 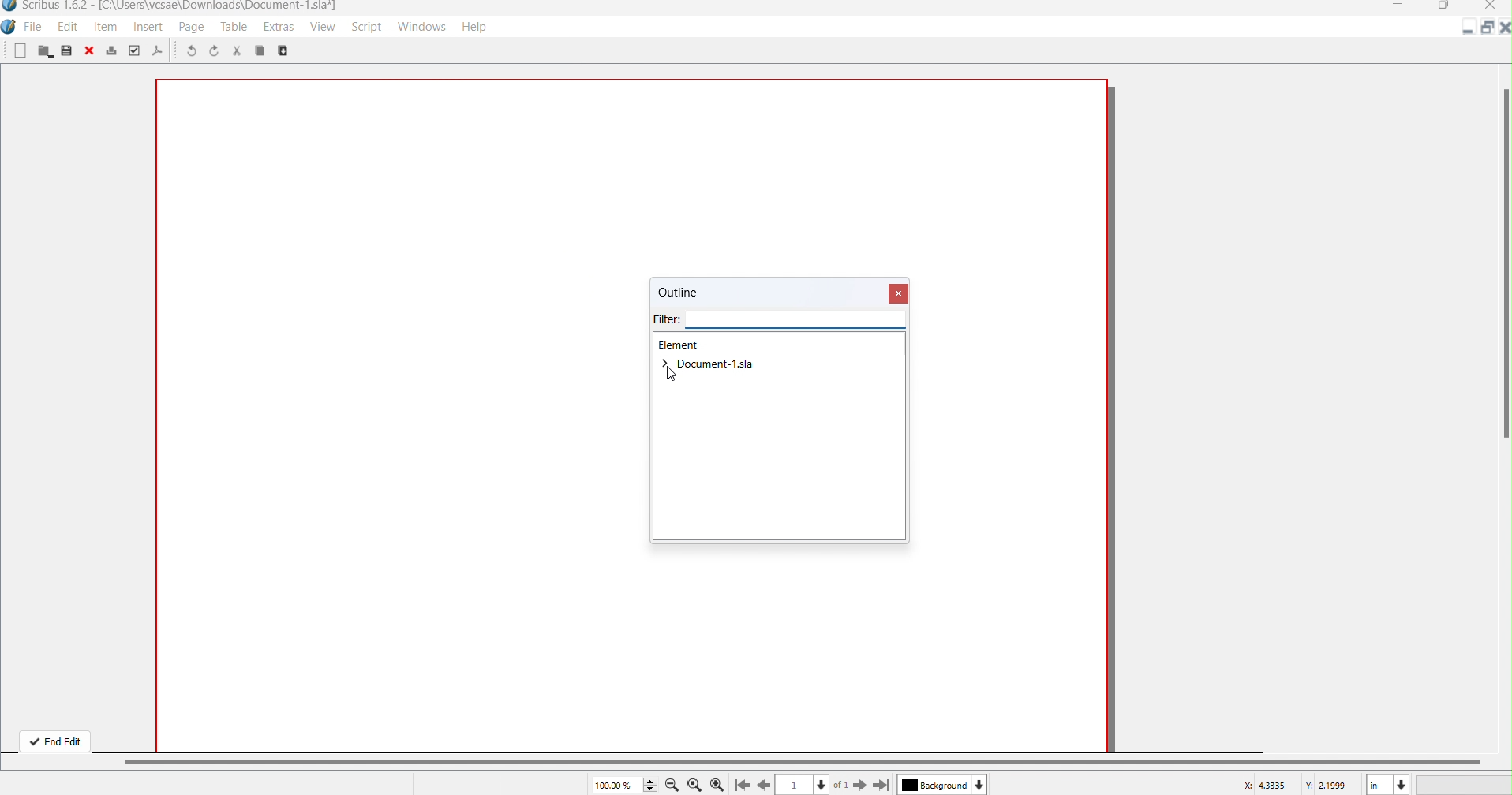 What do you see at coordinates (107, 28) in the screenshot?
I see `` at bounding box center [107, 28].